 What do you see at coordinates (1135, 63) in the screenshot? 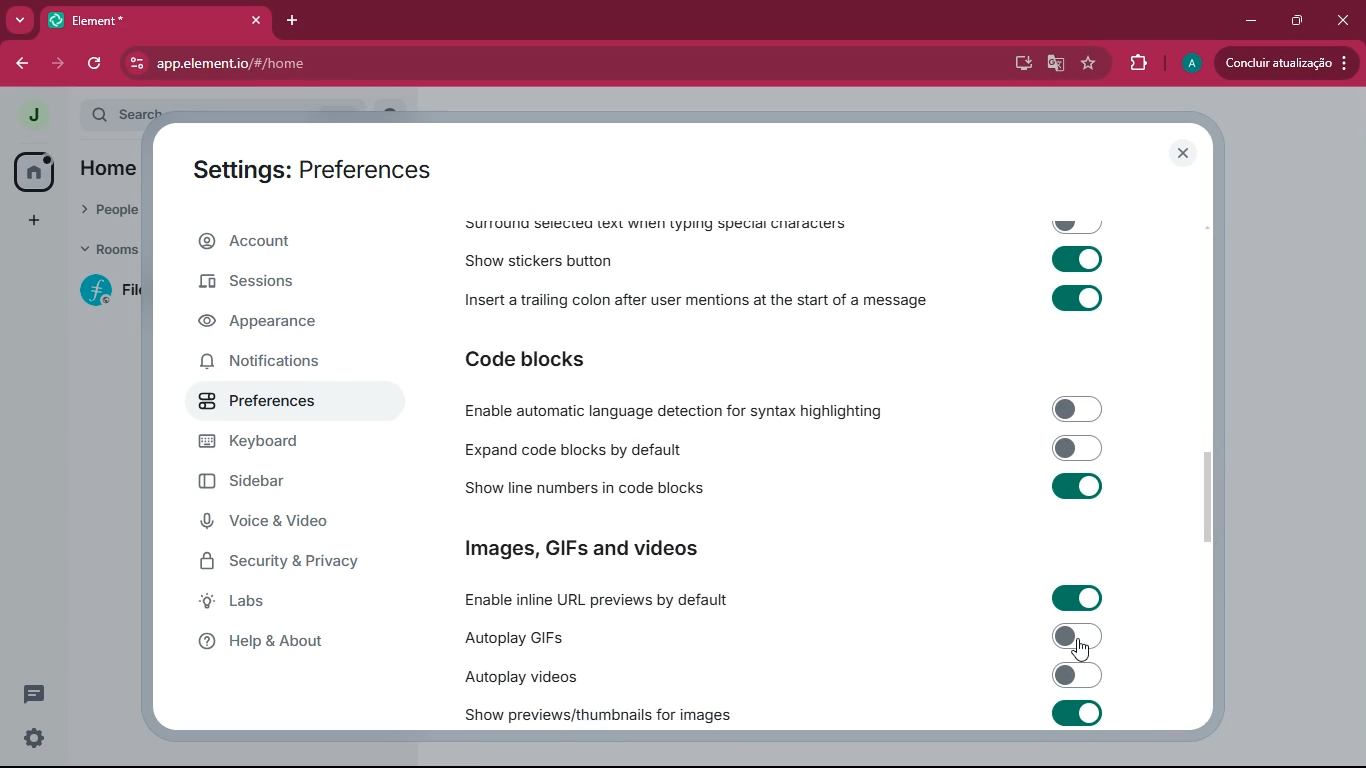
I see `extensions` at bounding box center [1135, 63].